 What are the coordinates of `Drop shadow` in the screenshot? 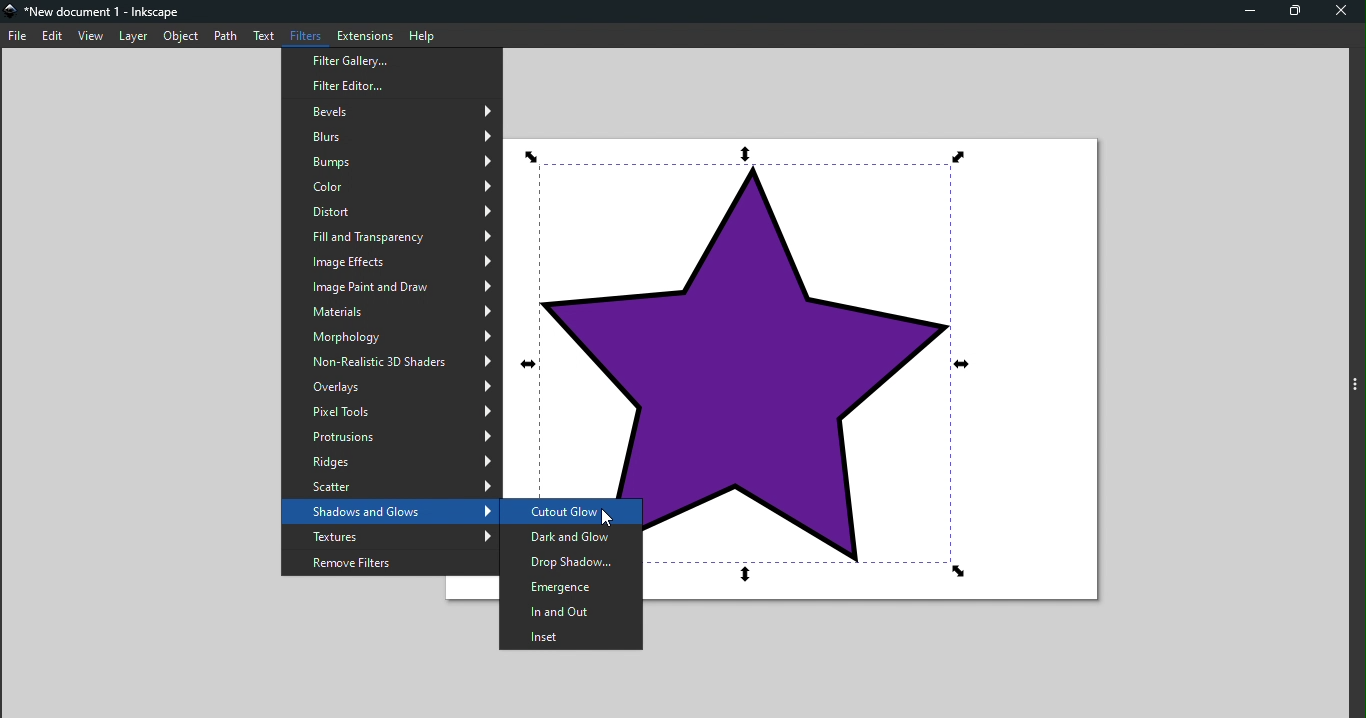 It's located at (571, 561).